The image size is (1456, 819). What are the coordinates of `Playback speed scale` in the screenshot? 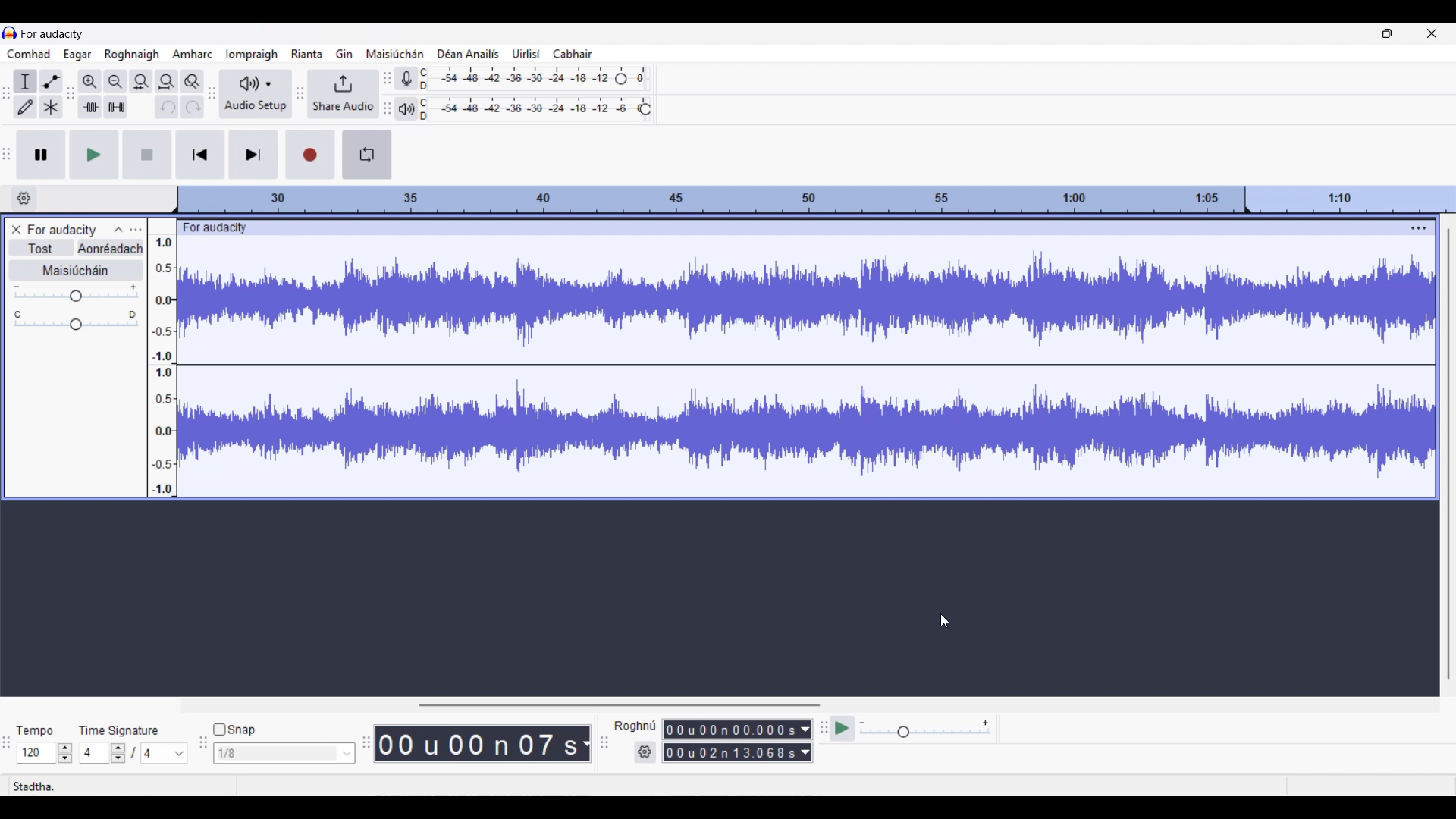 It's located at (936, 728).